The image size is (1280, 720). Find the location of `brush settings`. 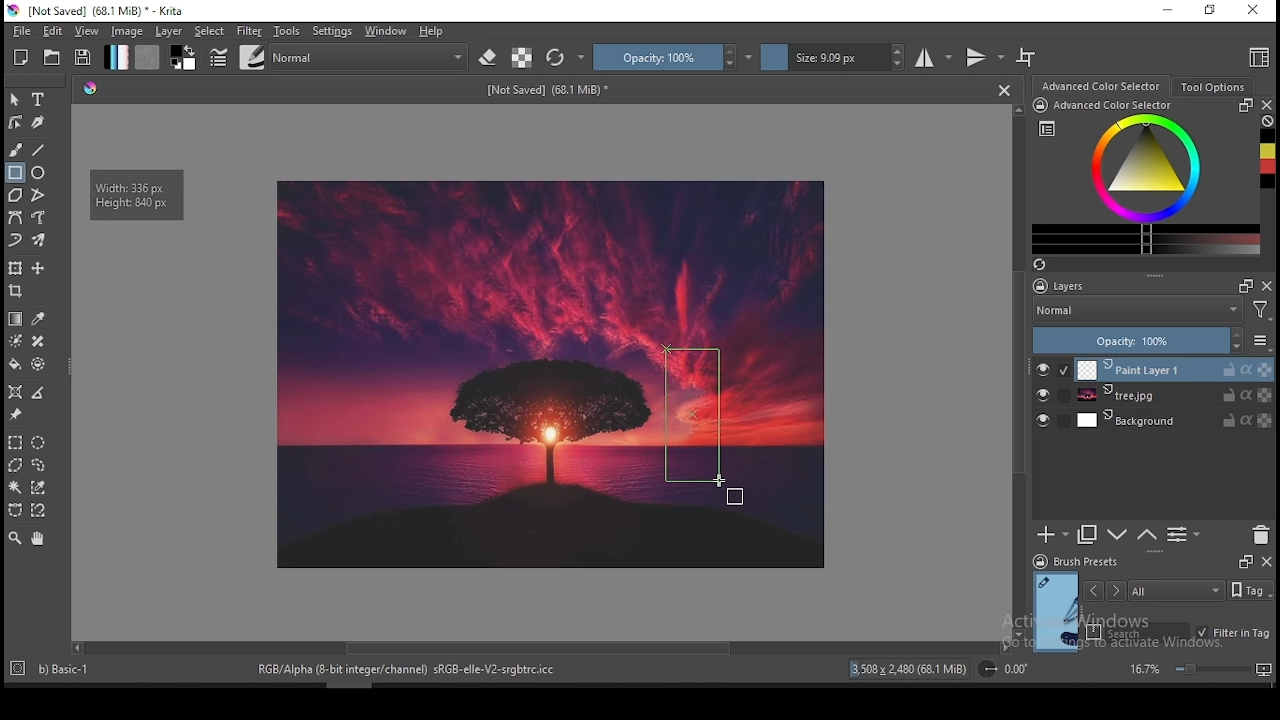

brush settings is located at coordinates (217, 56).